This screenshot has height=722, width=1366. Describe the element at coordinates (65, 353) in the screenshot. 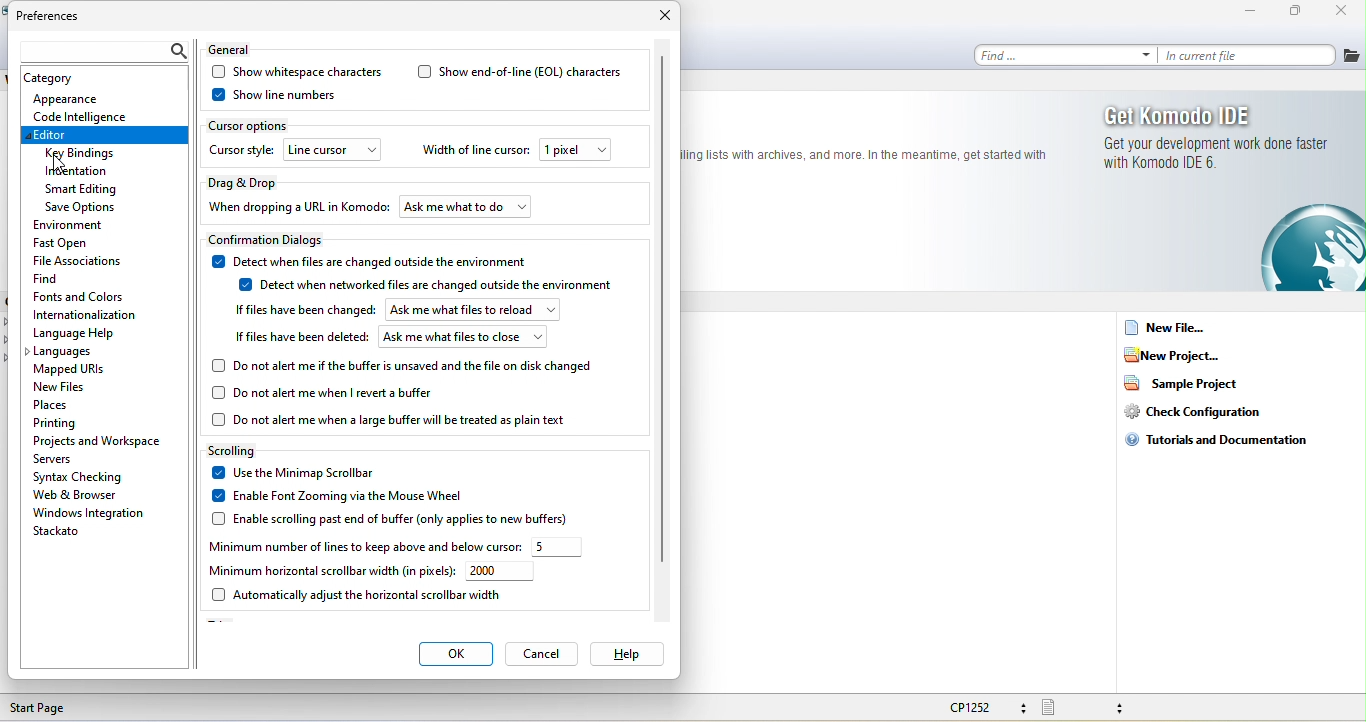

I see `languages` at that location.